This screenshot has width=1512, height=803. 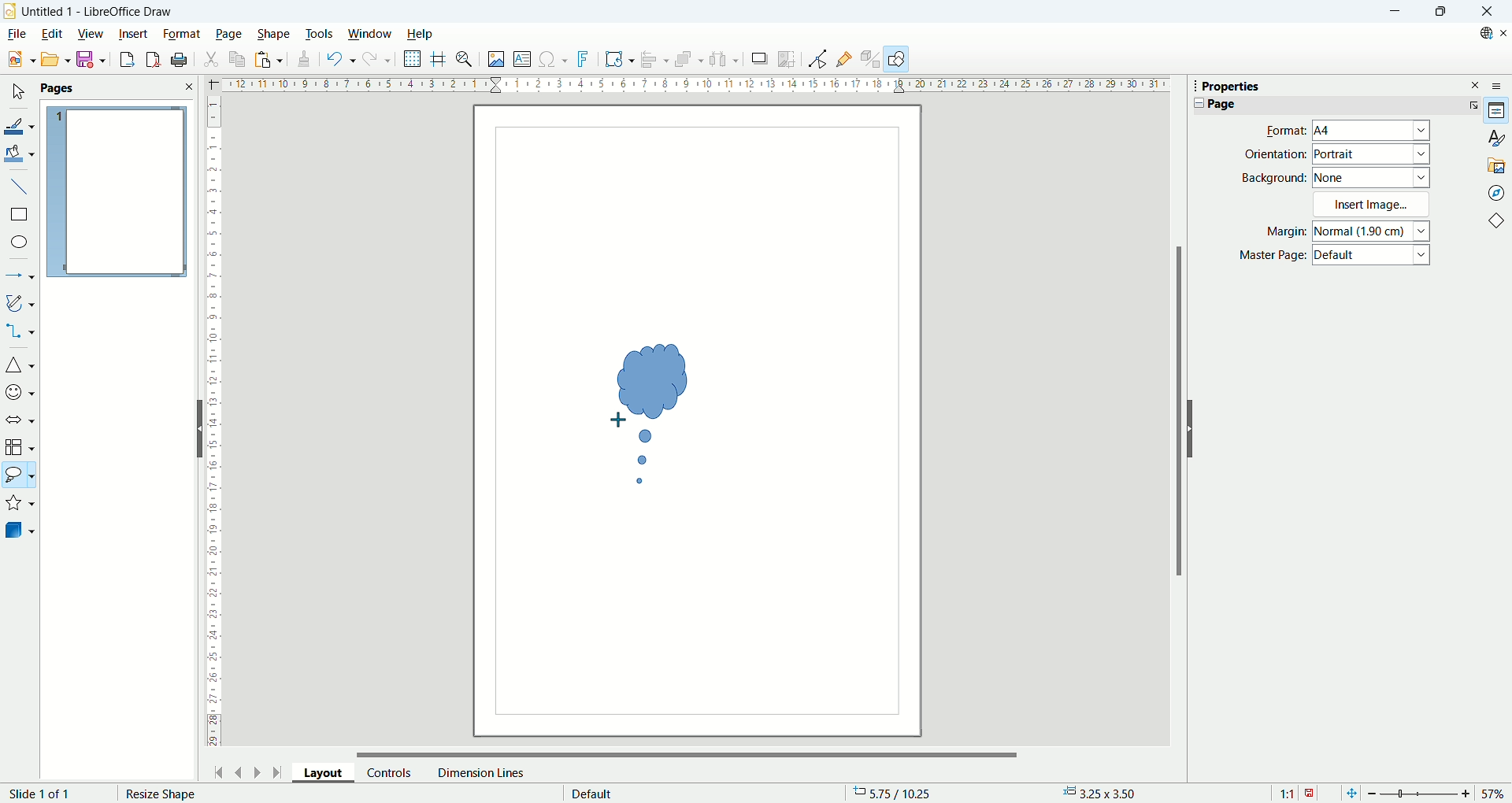 I want to click on None, so click(x=1372, y=176).